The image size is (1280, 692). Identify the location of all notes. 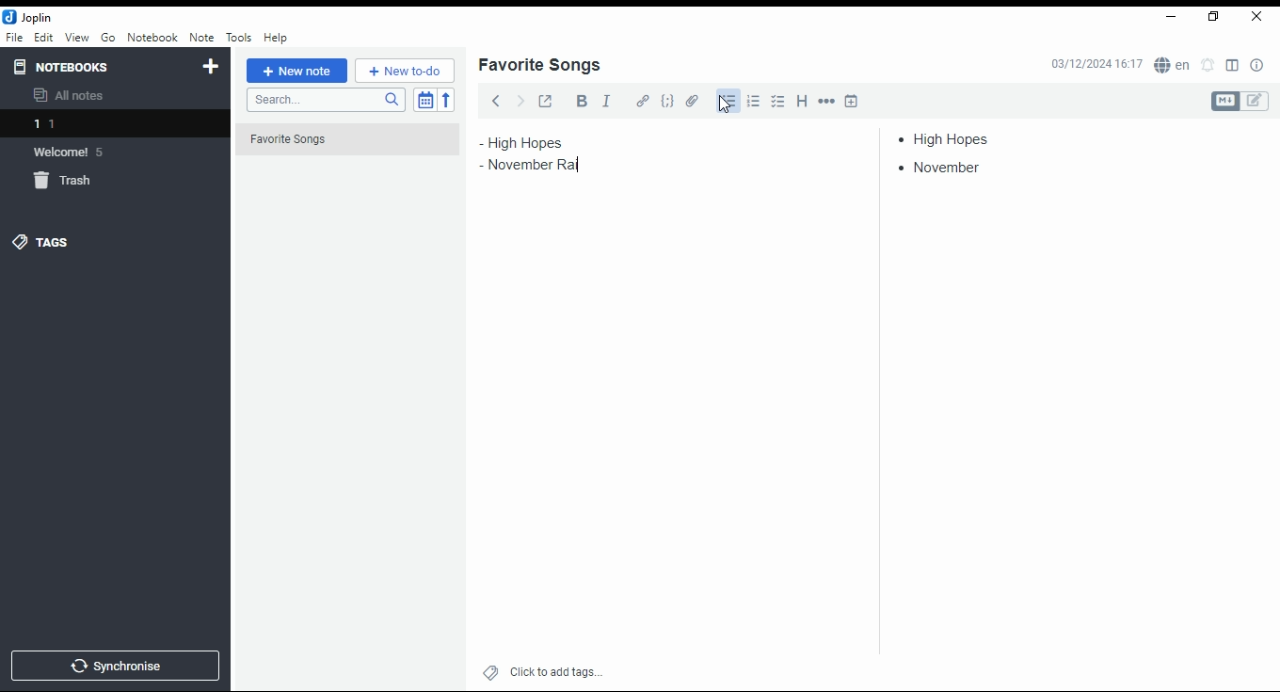
(74, 96).